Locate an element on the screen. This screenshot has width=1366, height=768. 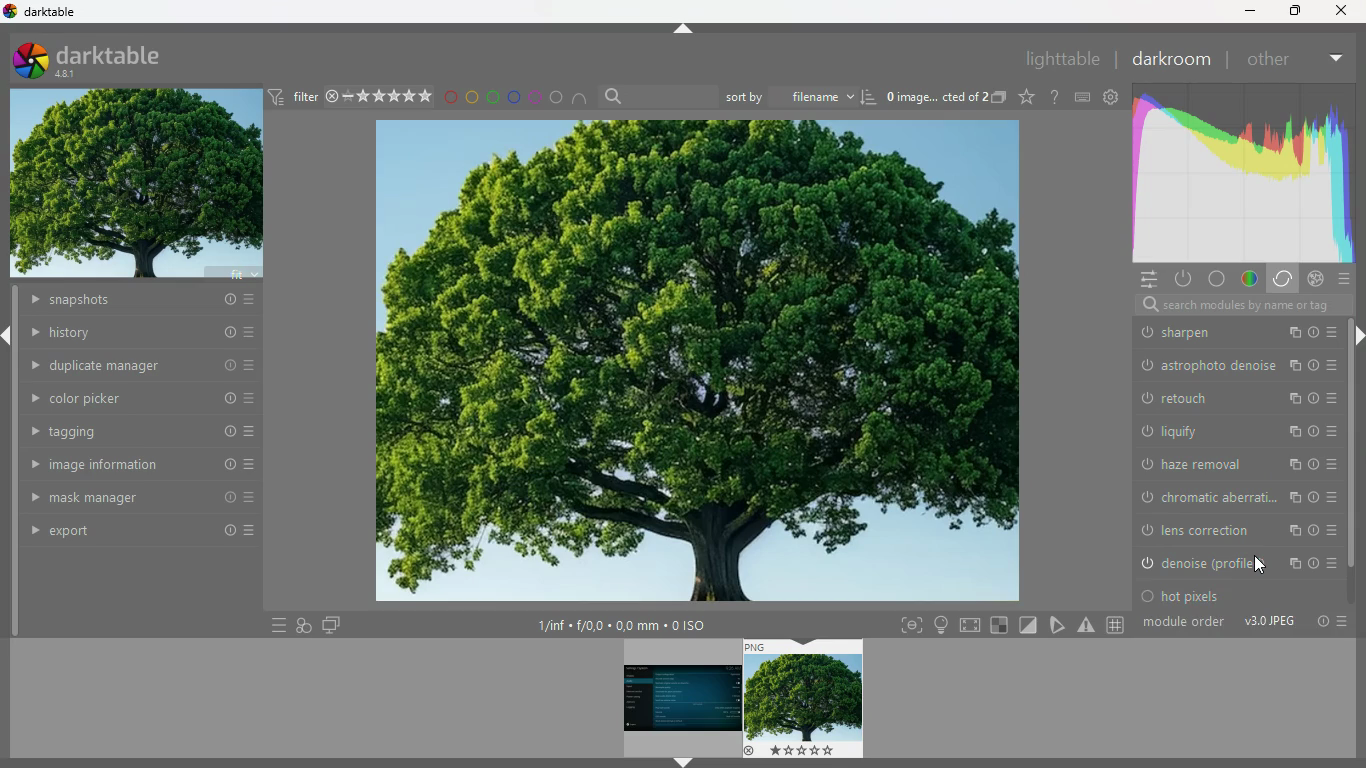
mask manager is located at coordinates (132, 494).